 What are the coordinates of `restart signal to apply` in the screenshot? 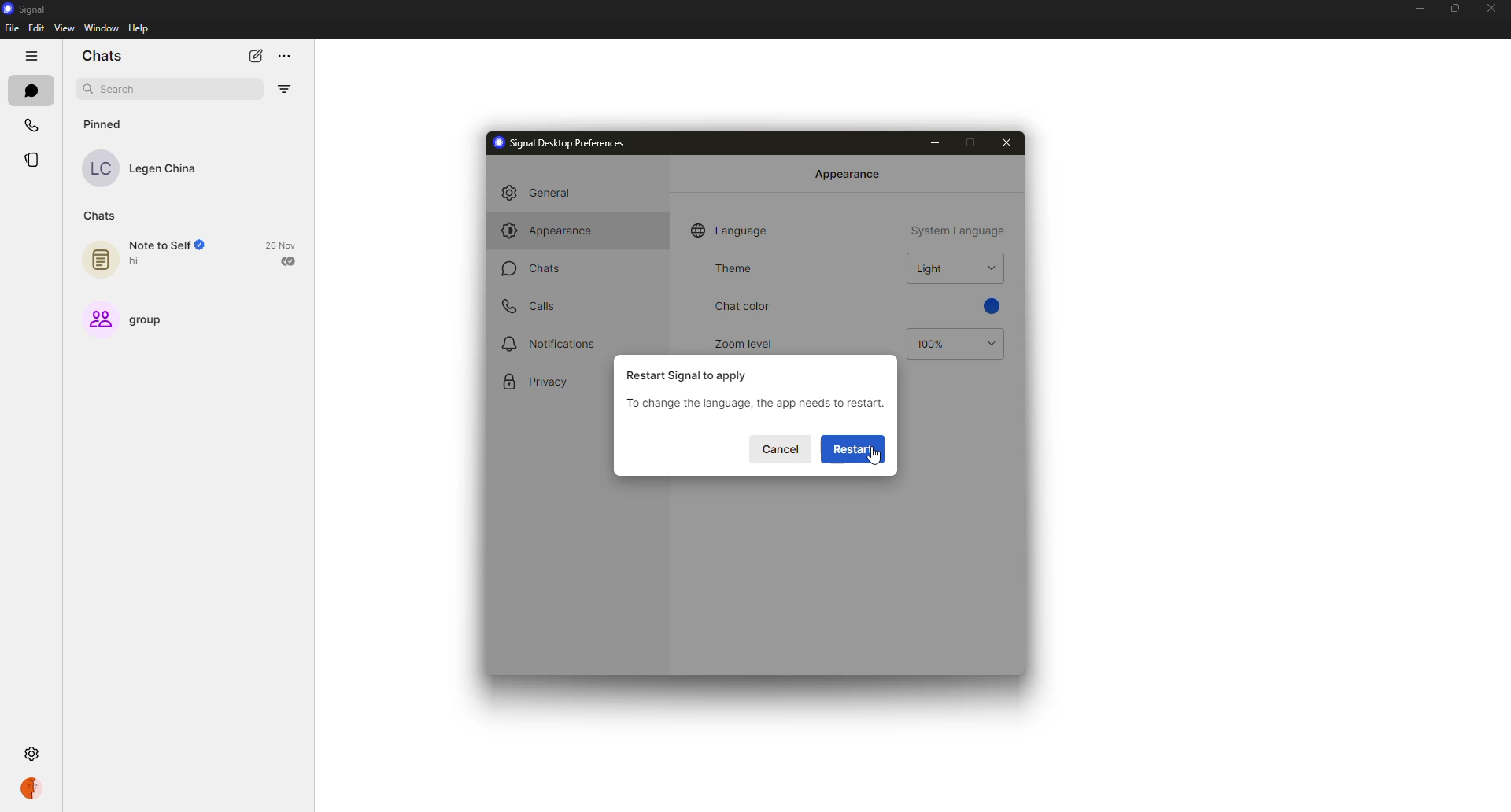 It's located at (690, 375).